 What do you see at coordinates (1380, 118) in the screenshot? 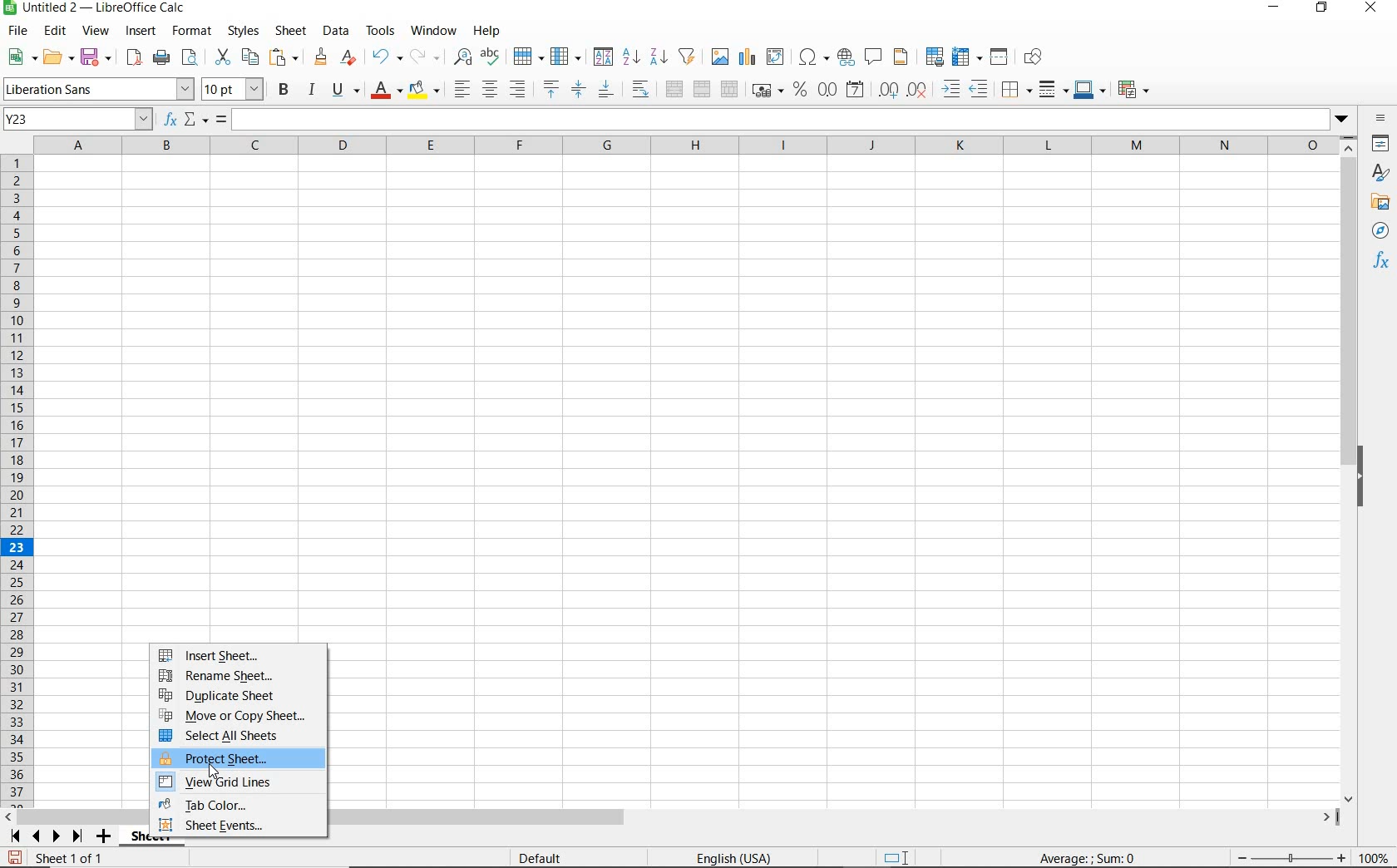
I see `SIDEBAR SETTINGS` at bounding box center [1380, 118].